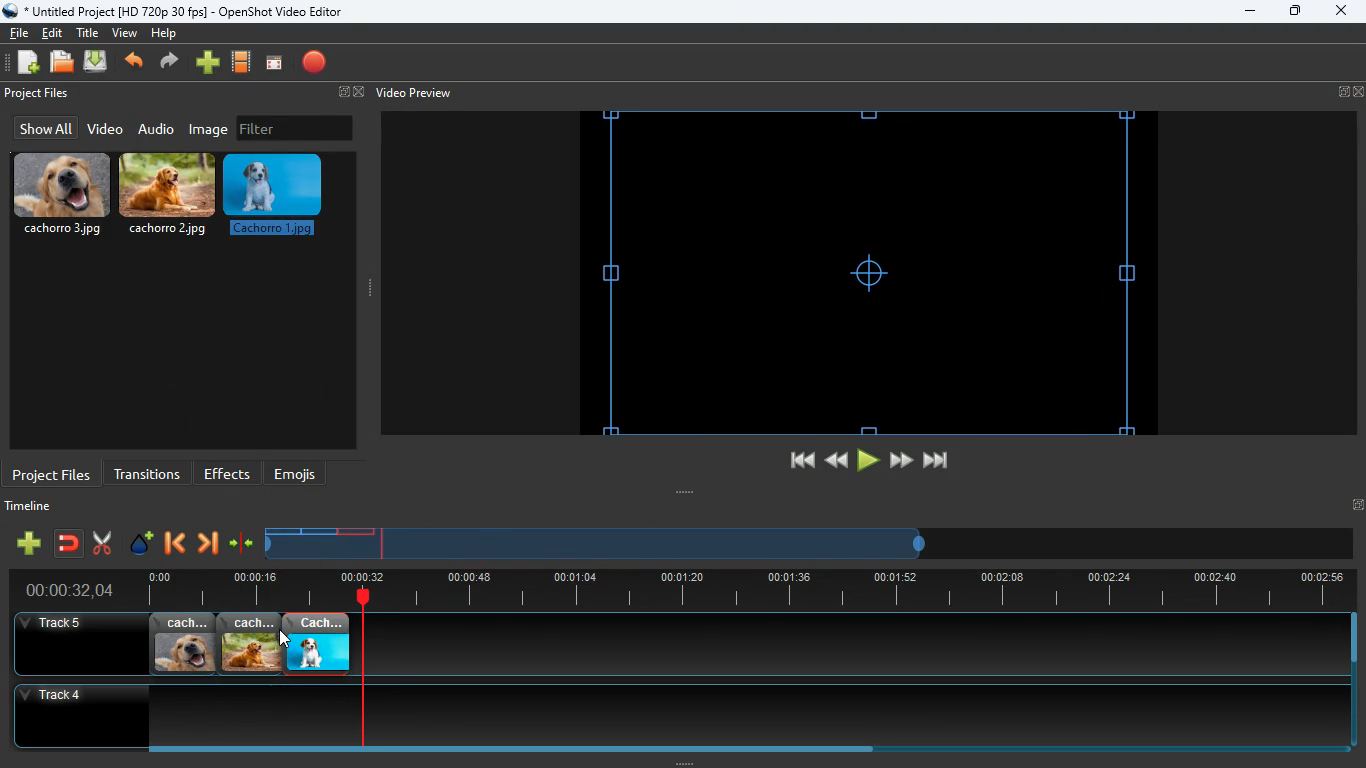 The height and width of the screenshot is (768, 1366). Describe the element at coordinates (1296, 13) in the screenshot. I see `maximize` at that location.